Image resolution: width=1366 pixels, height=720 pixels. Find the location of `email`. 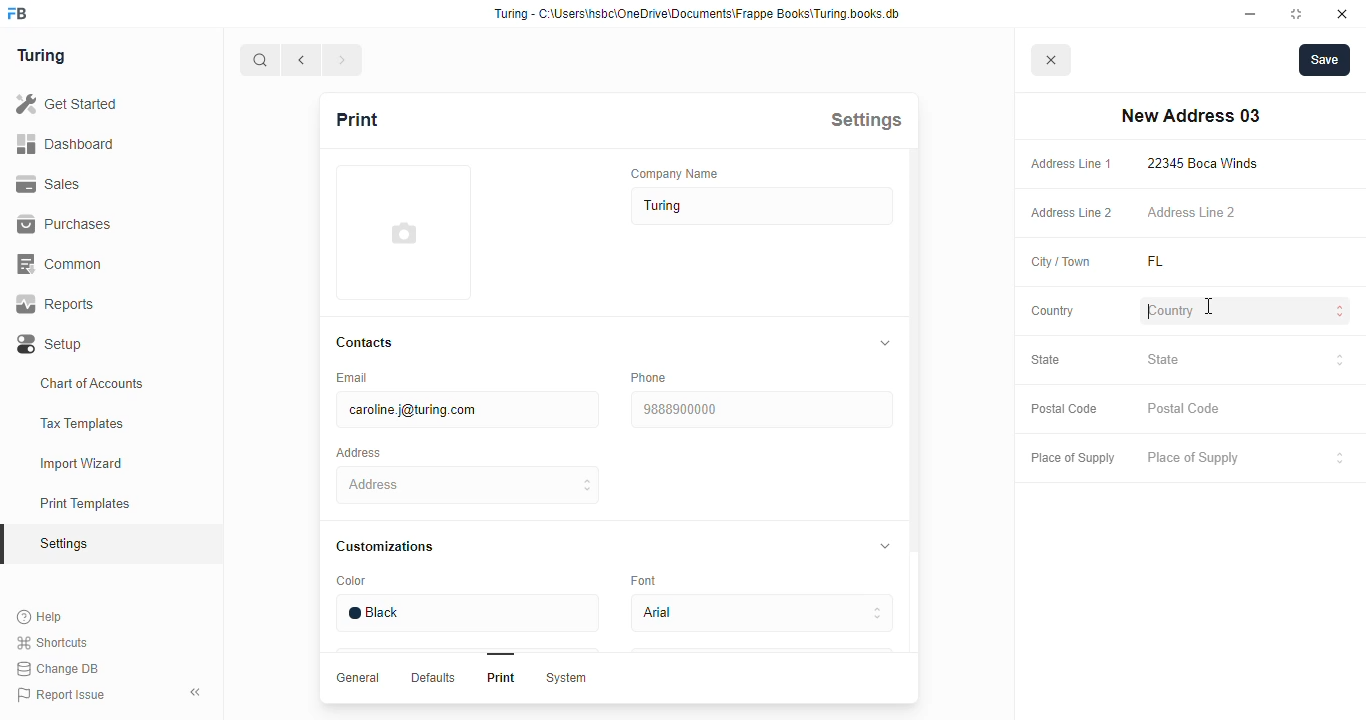

email is located at coordinates (350, 377).